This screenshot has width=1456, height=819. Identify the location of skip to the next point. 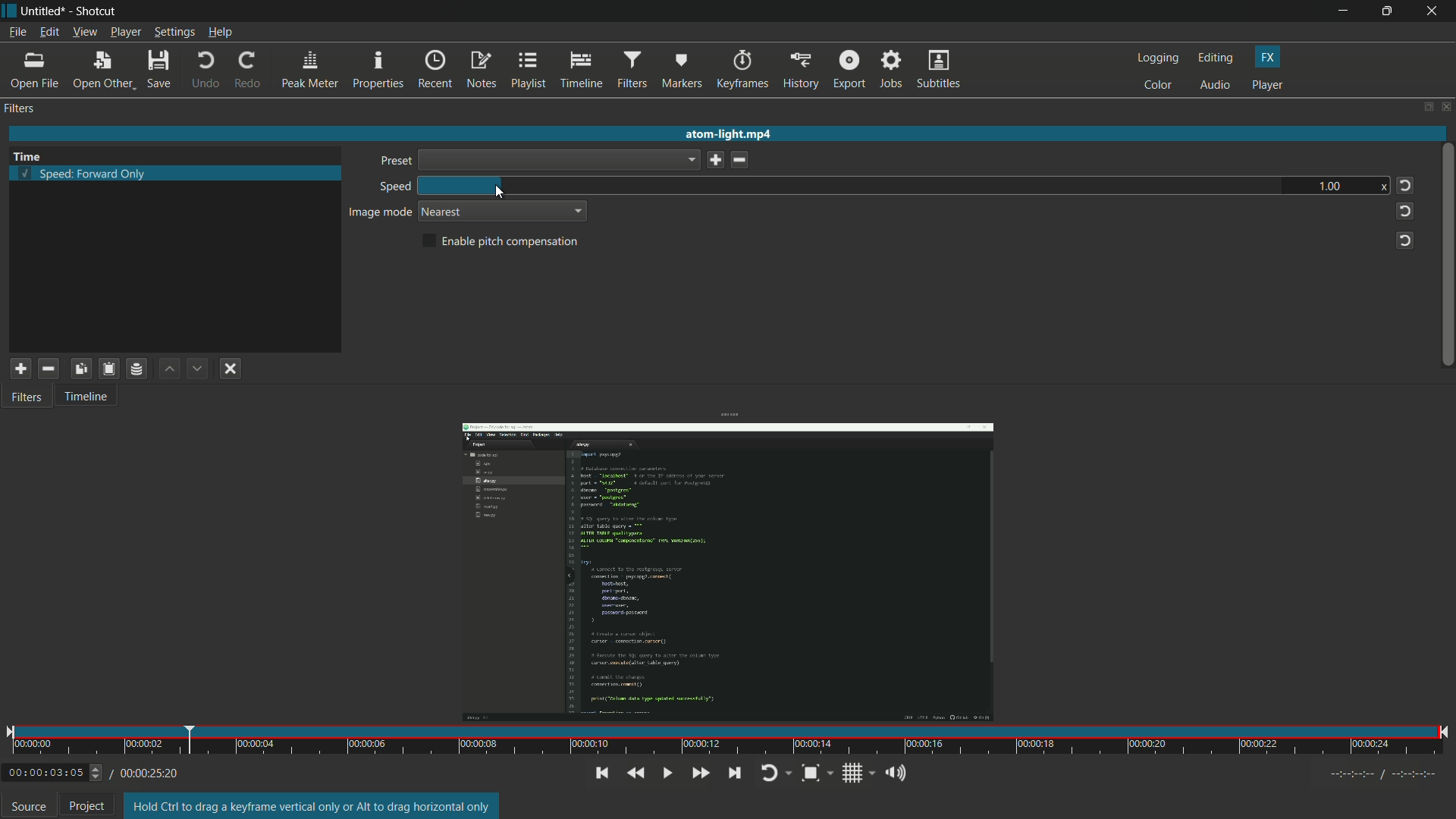
(735, 773).